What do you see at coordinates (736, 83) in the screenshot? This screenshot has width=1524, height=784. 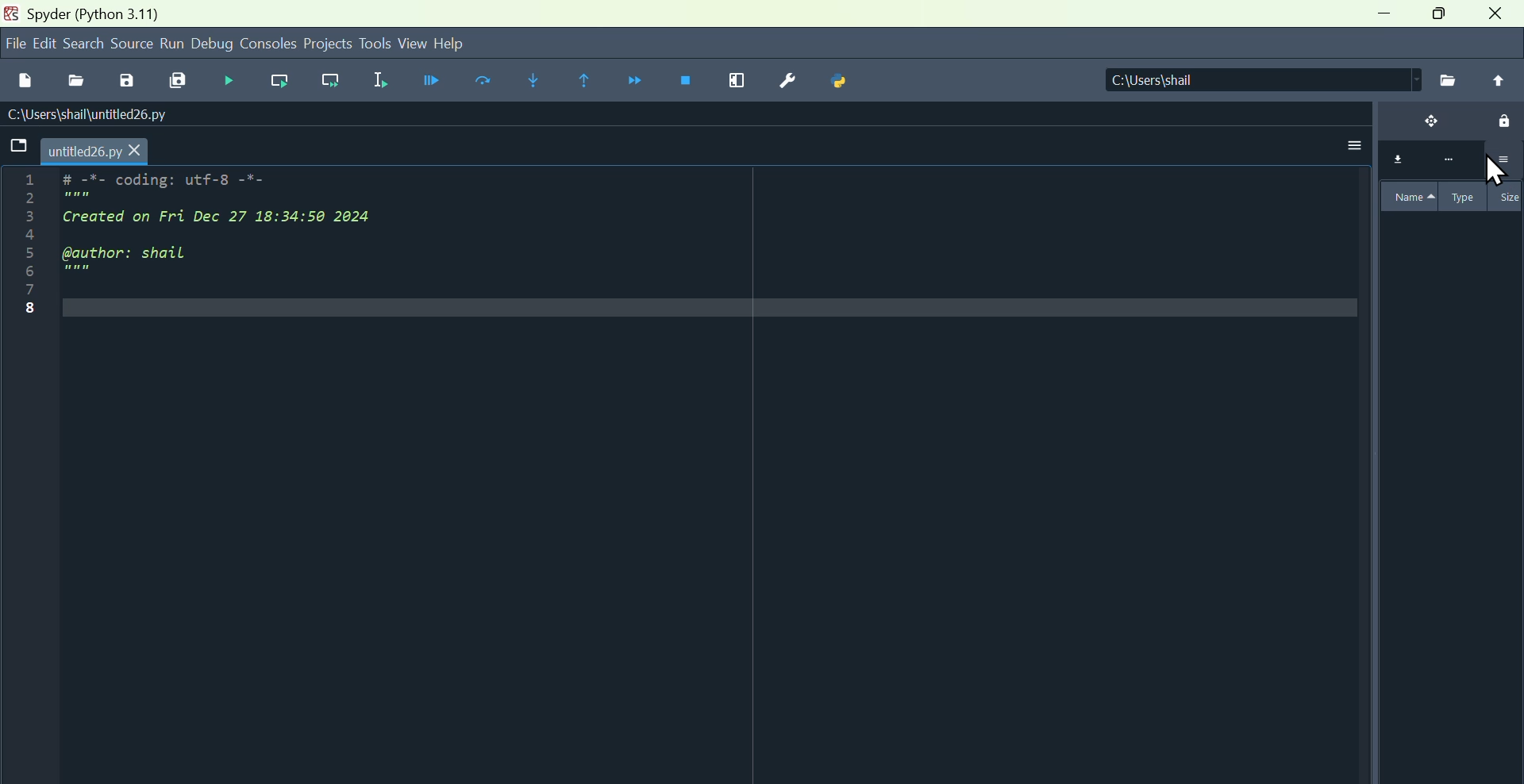 I see `maximise current window` at bounding box center [736, 83].